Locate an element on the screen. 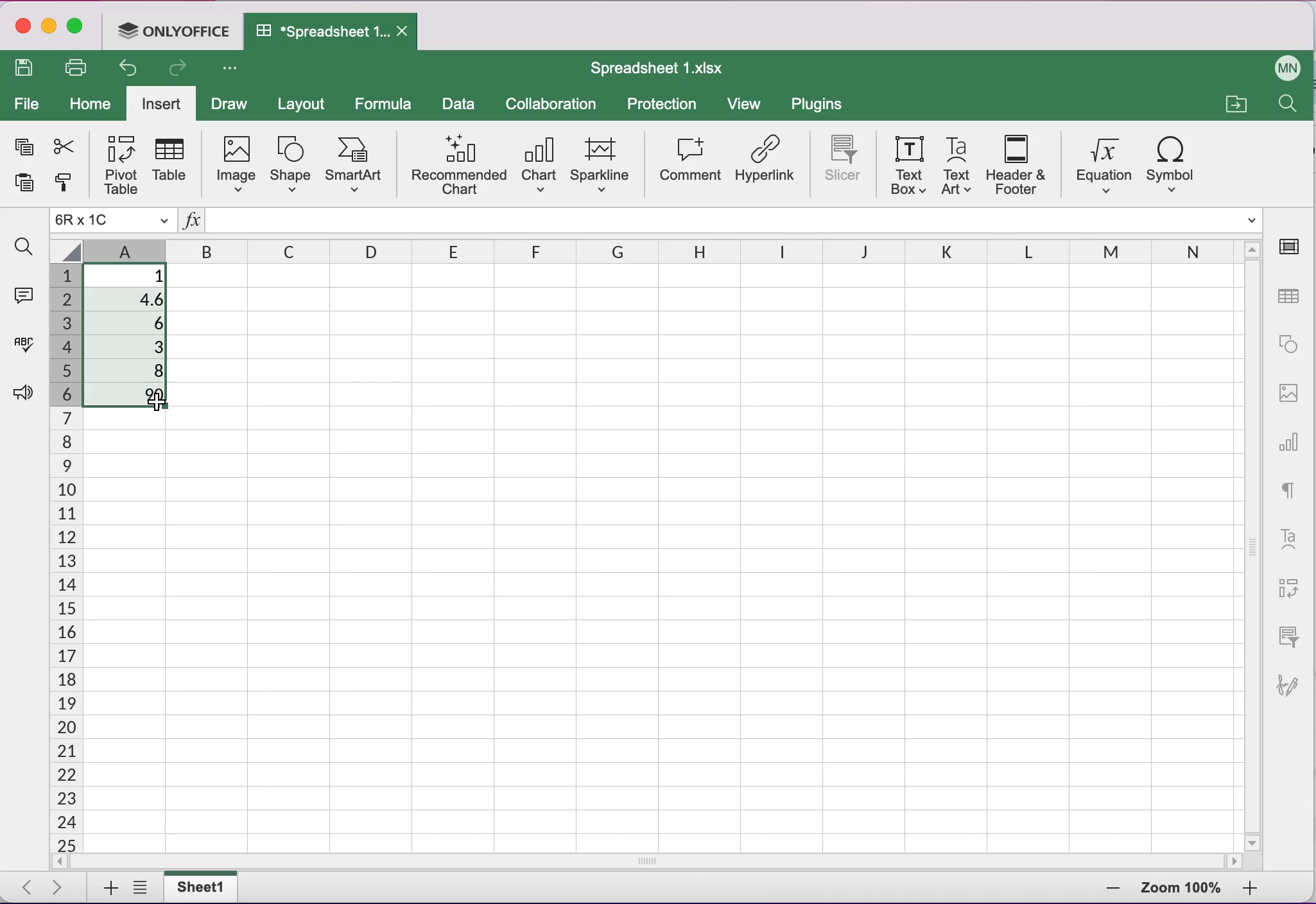  draw is located at coordinates (231, 103).